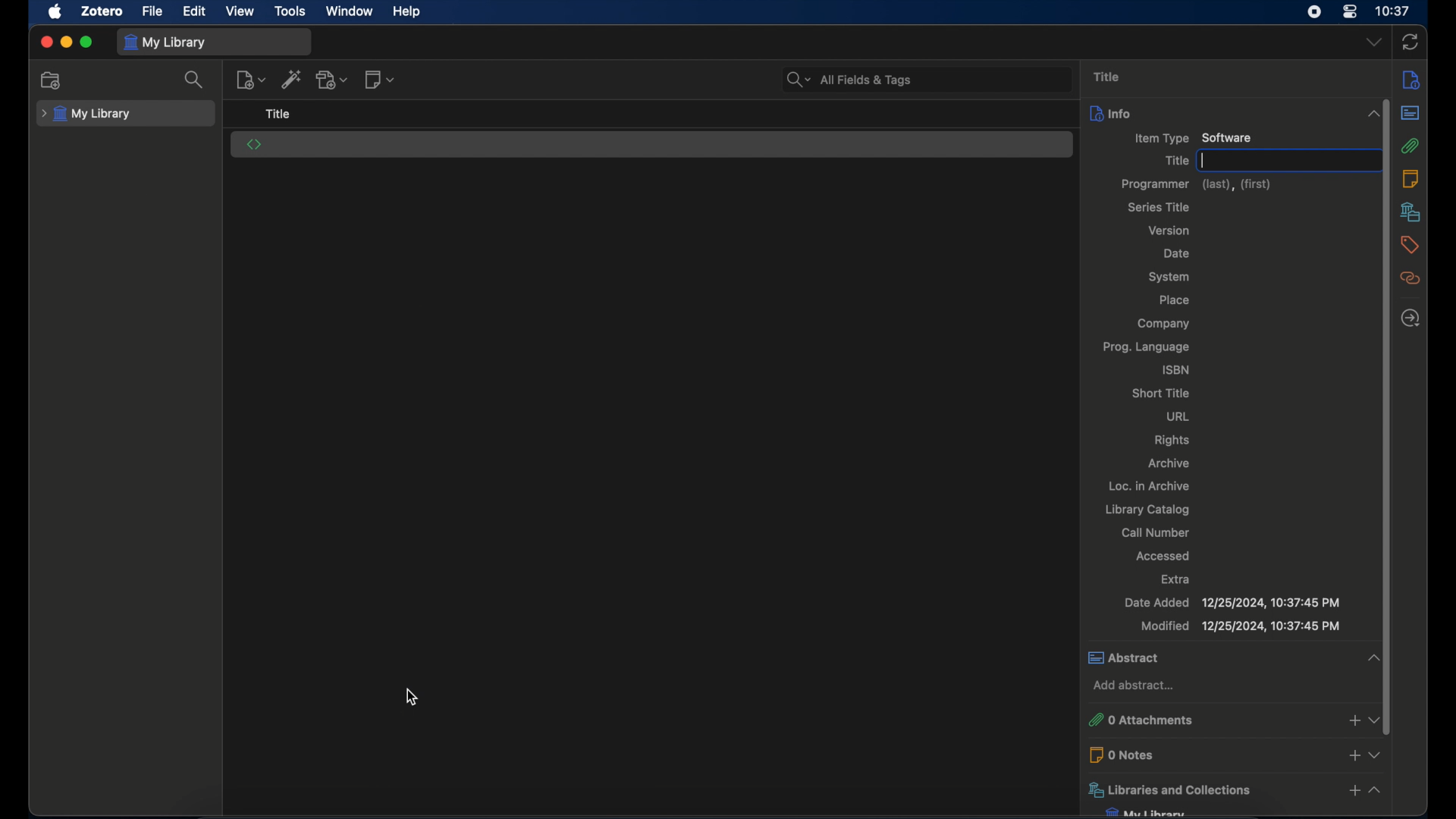 The height and width of the screenshot is (819, 1456). Describe the element at coordinates (1216, 657) in the screenshot. I see `abstract` at that location.